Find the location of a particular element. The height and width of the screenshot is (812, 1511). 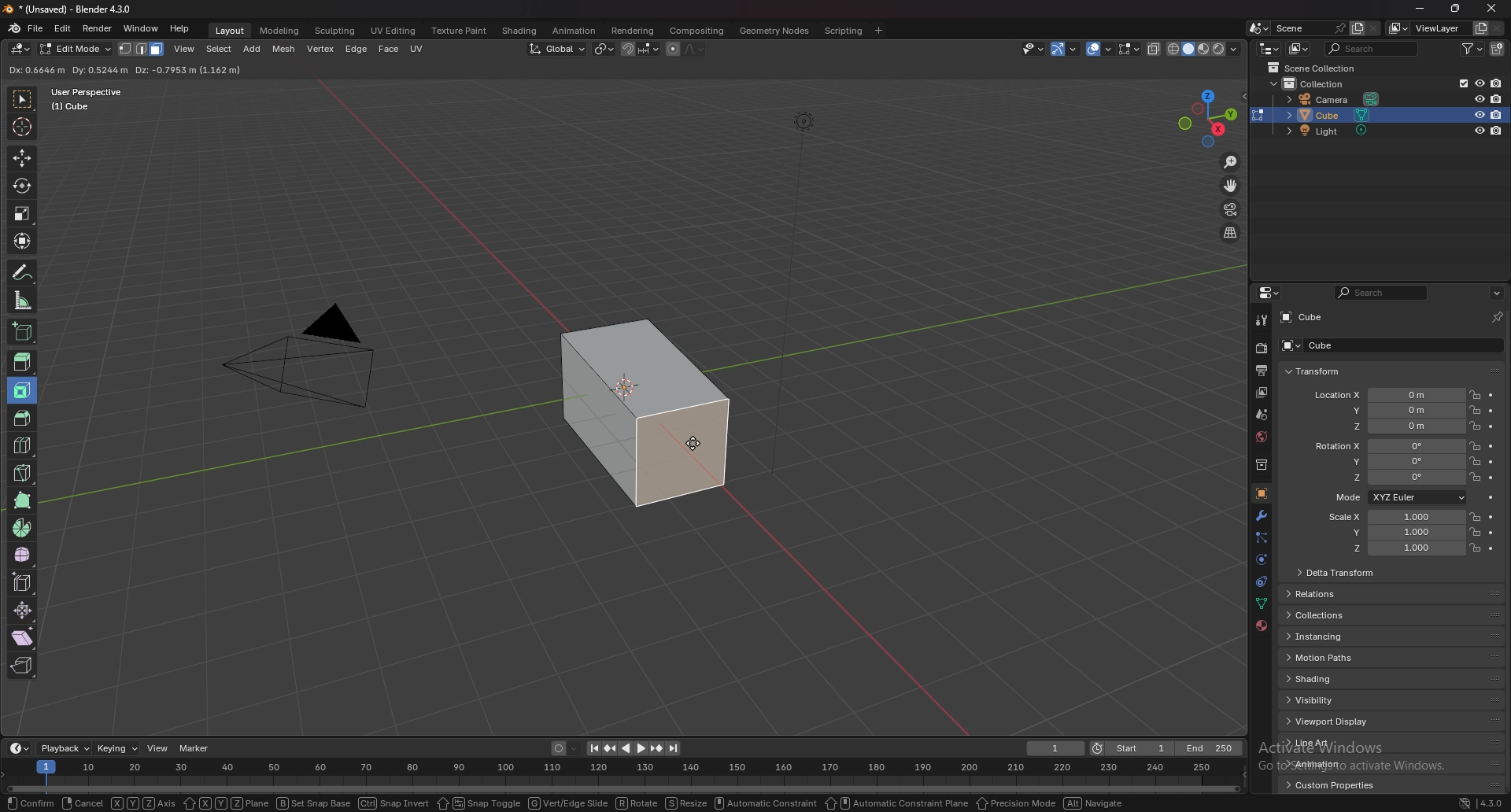

measure is located at coordinates (24, 300).